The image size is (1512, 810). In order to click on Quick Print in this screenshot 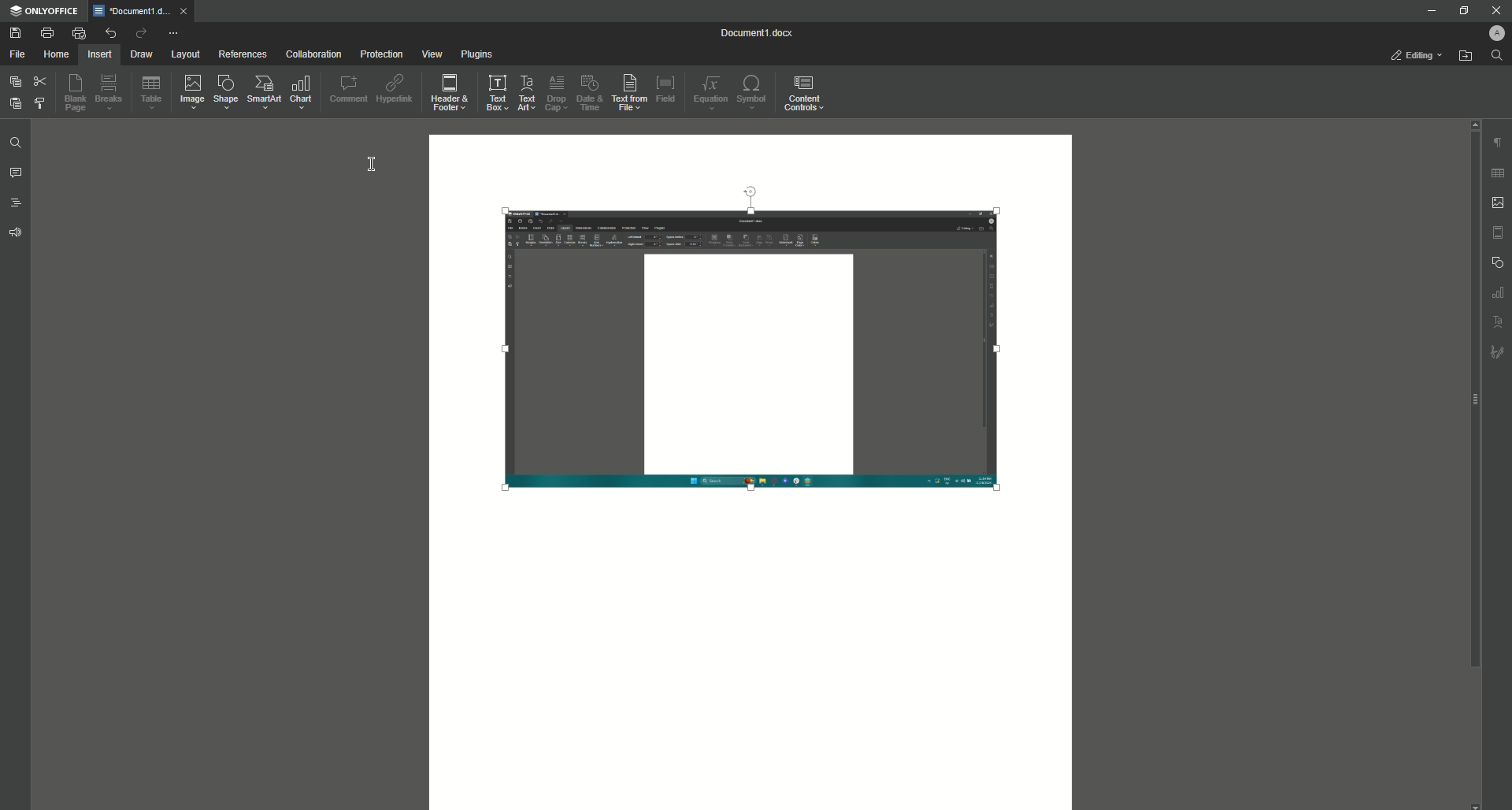, I will do `click(79, 34)`.